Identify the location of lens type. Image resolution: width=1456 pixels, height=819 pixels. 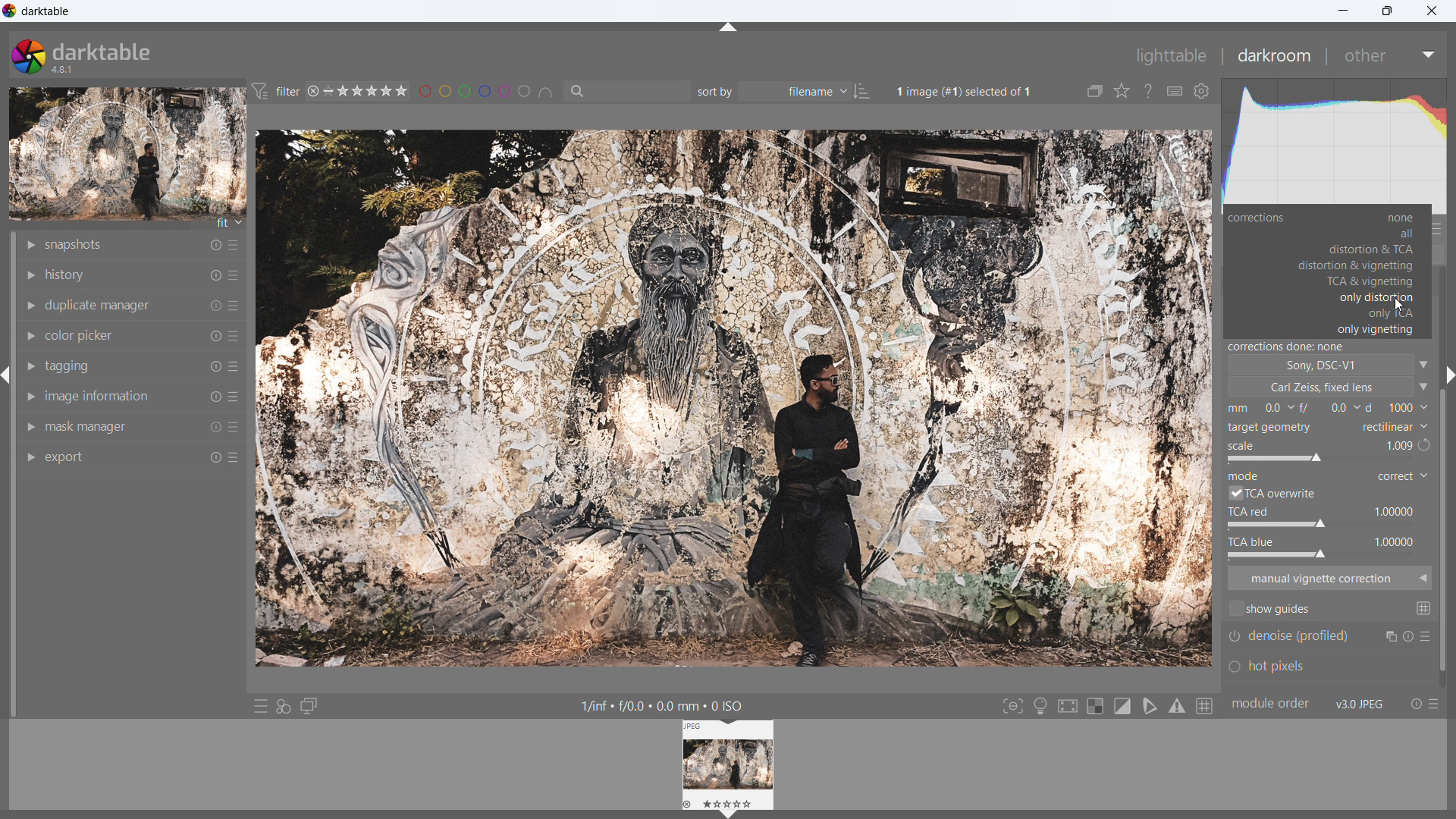
(1330, 387).